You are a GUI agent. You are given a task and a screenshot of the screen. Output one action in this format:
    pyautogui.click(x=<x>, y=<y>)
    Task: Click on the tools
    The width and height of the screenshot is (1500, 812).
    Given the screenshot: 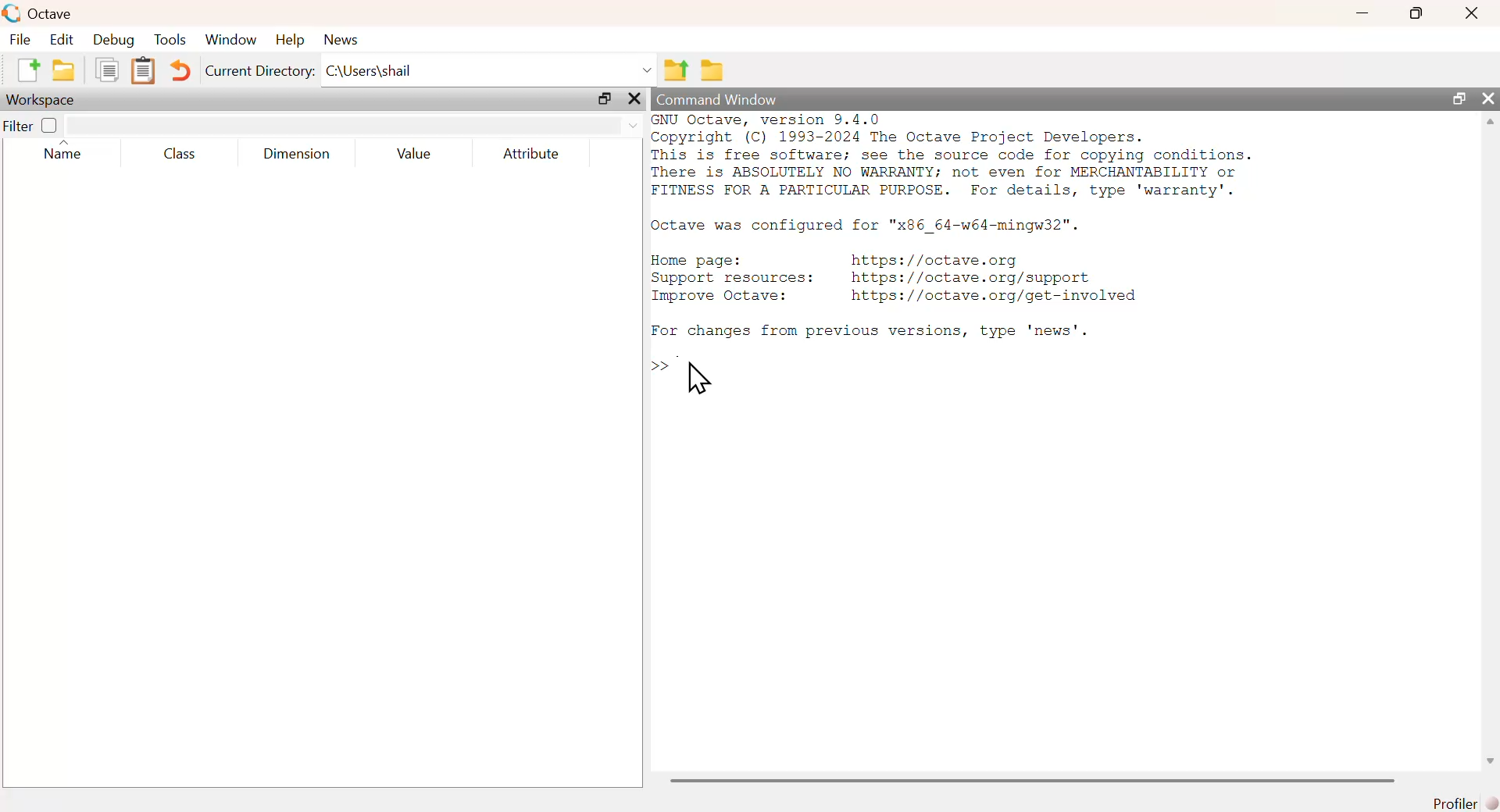 What is the action you would take?
    pyautogui.click(x=171, y=41)
    